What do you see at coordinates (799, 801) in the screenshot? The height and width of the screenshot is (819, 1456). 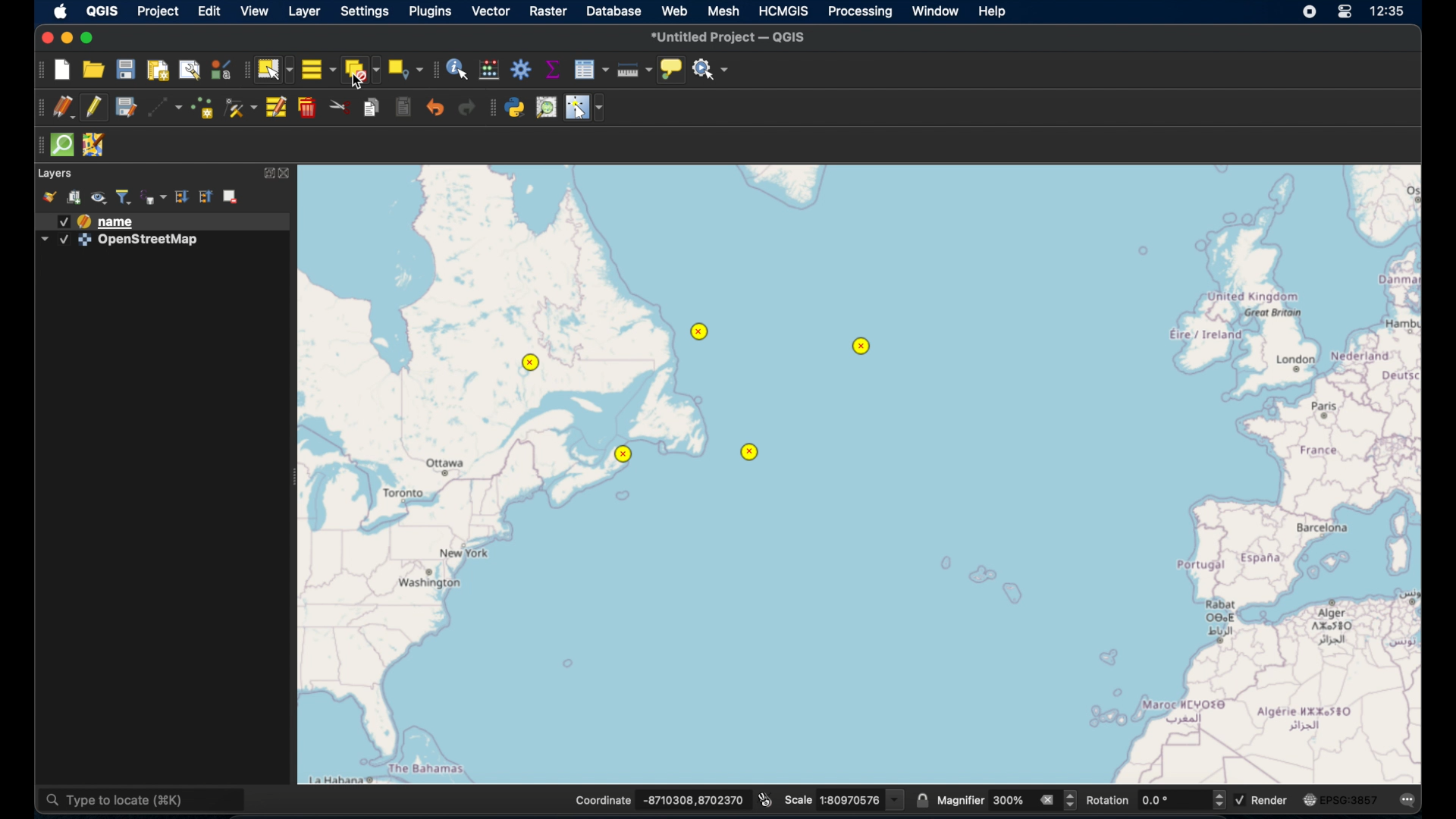 I see `Scale` at bounding box center [799, 801].